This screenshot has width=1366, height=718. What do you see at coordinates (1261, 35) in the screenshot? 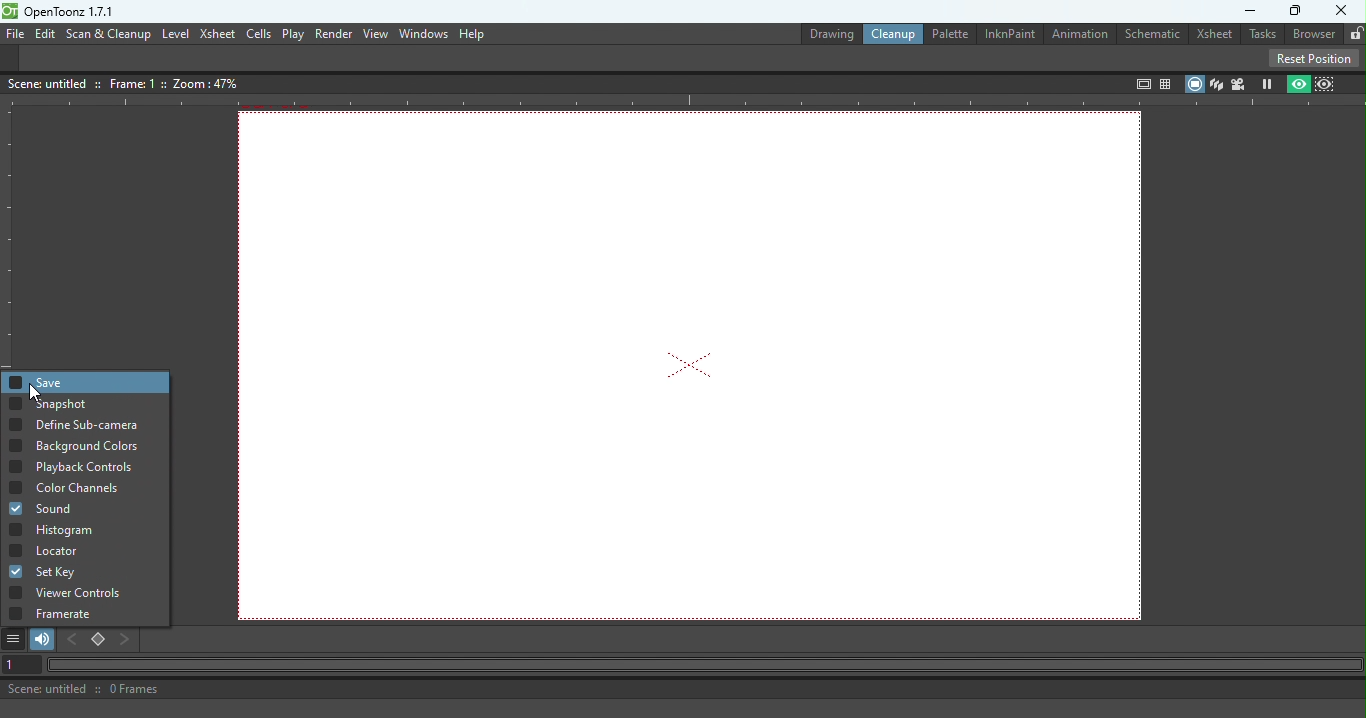
I see `Tasks` at bounding box center [1261, 35].